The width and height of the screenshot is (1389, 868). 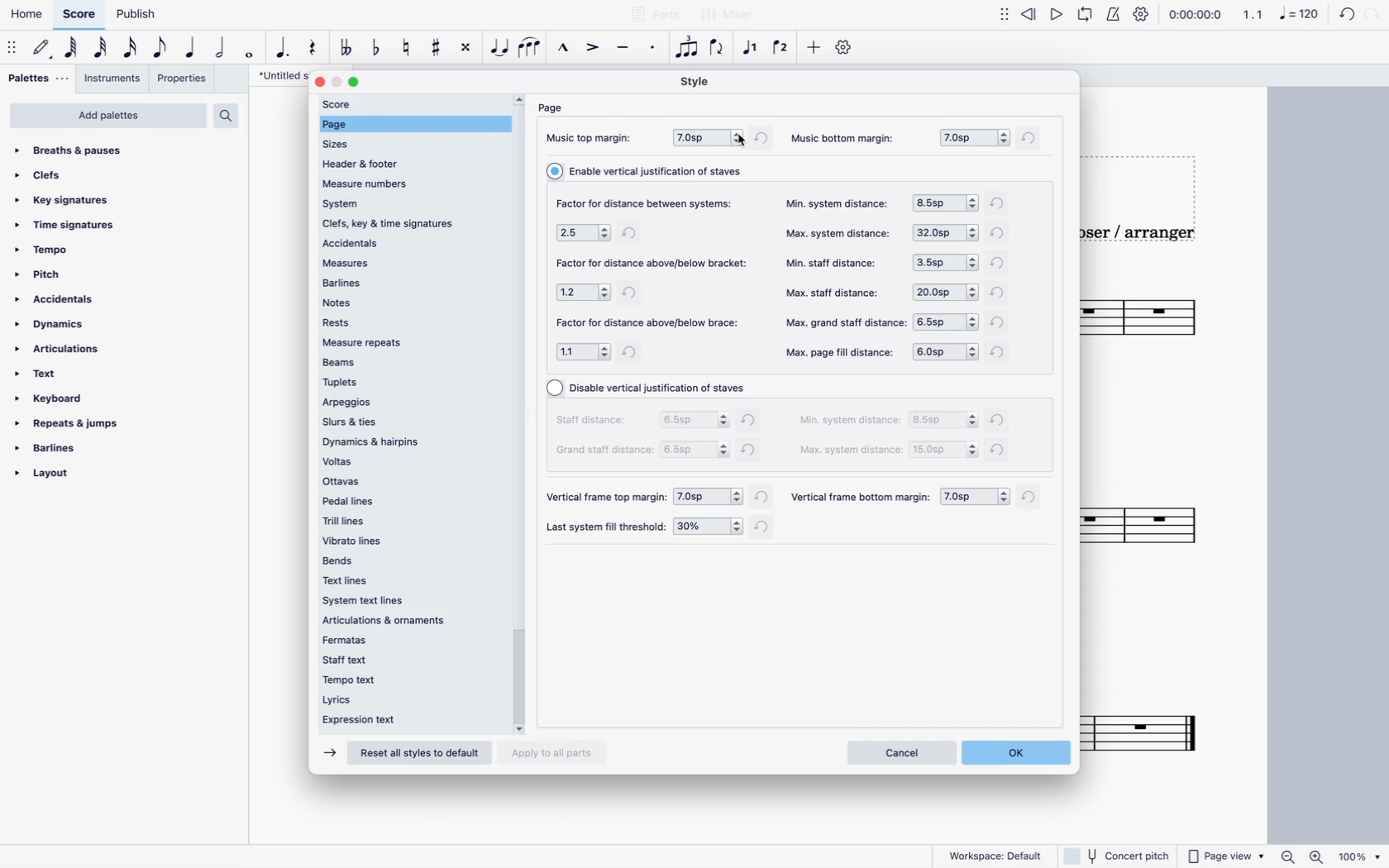 I want to click on beams, so click(x=403, y=362).